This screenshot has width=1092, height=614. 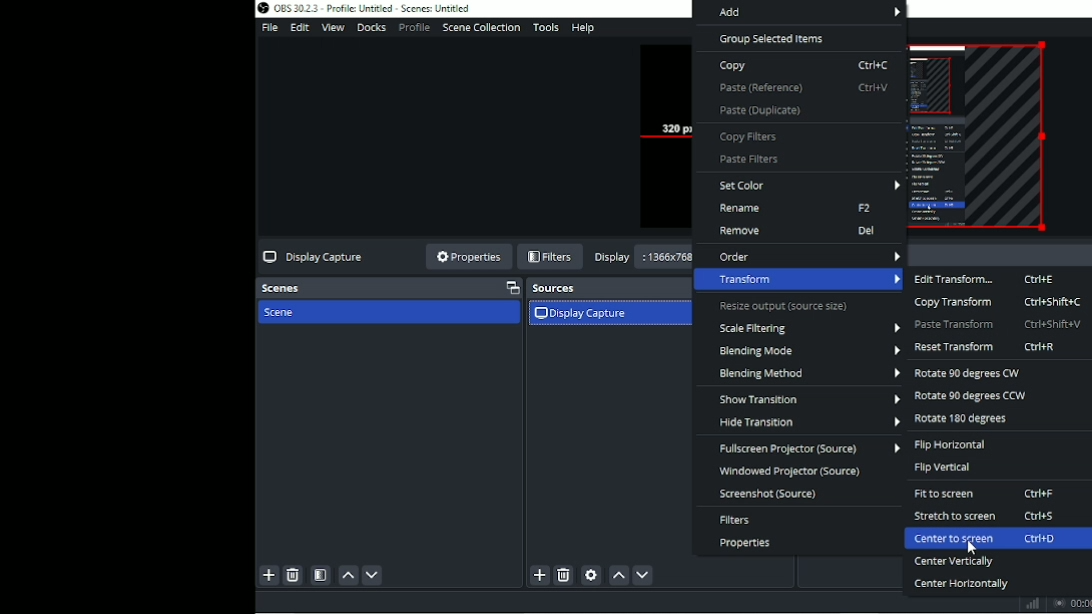 What do you see at coordinates (960, 584) in the screenshot?
I see `Center horizontally` at bounding box center [960, 584].